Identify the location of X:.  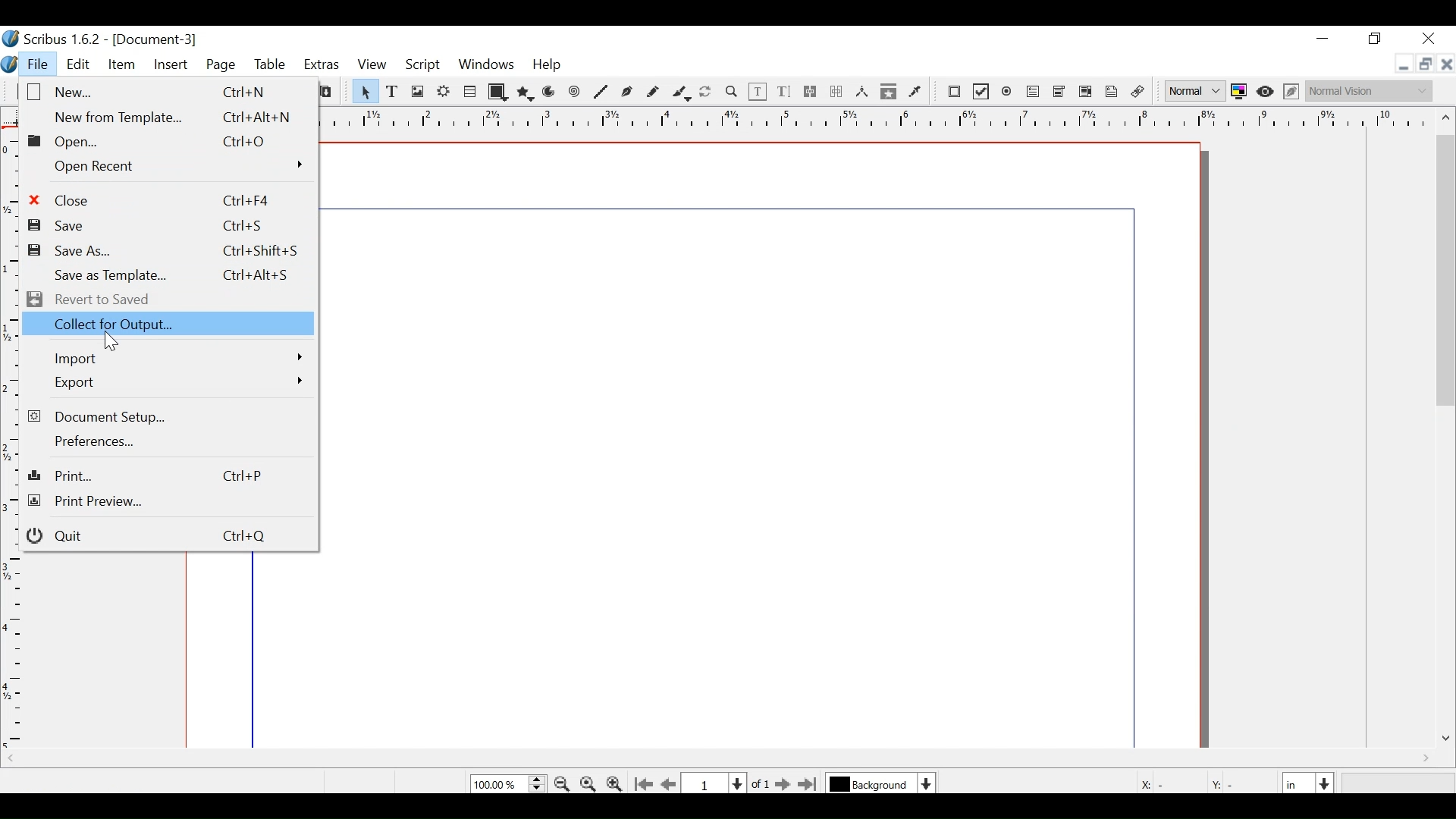
(1144, 782).